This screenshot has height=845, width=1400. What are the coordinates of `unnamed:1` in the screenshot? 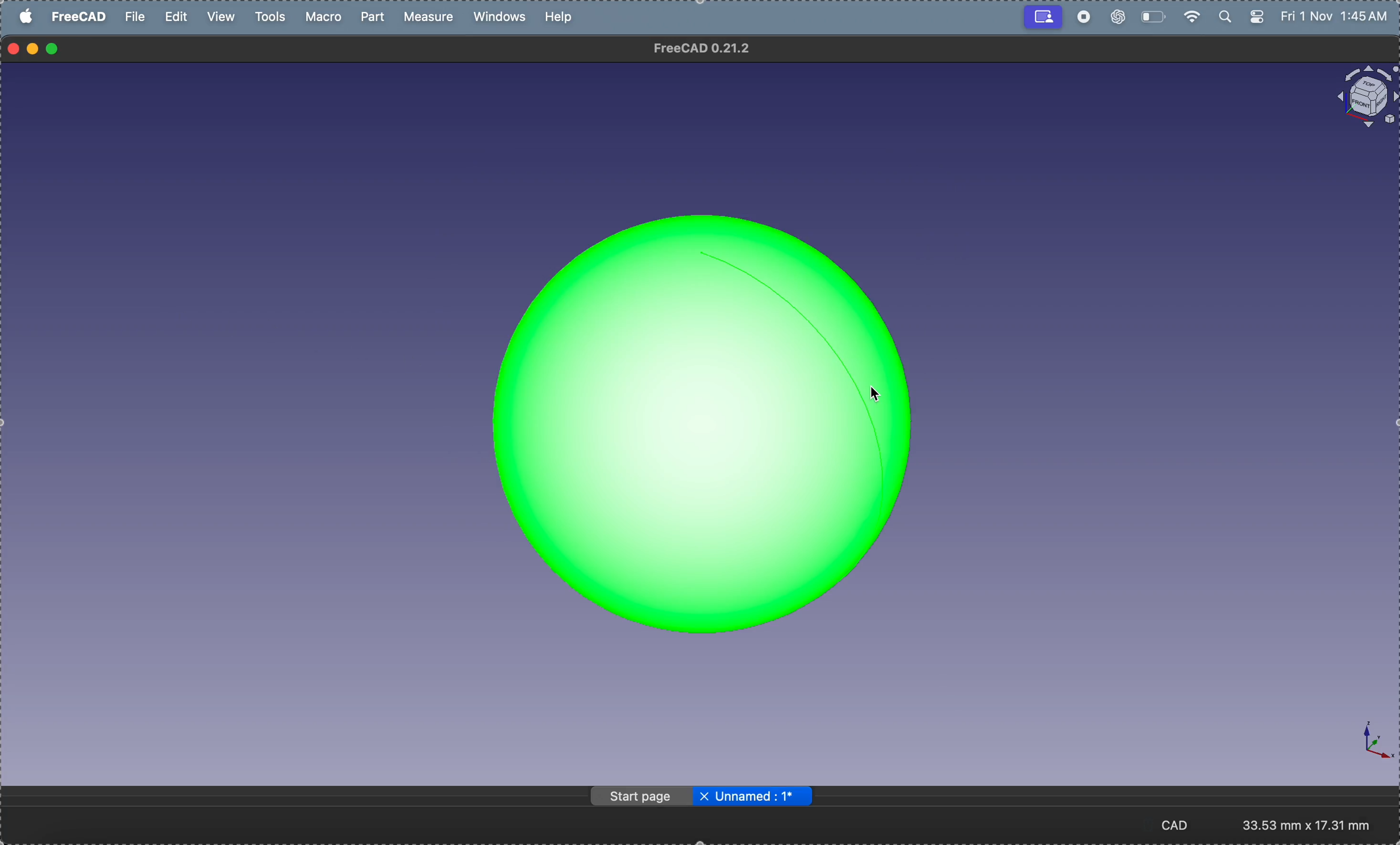 It's located at (753, 798).